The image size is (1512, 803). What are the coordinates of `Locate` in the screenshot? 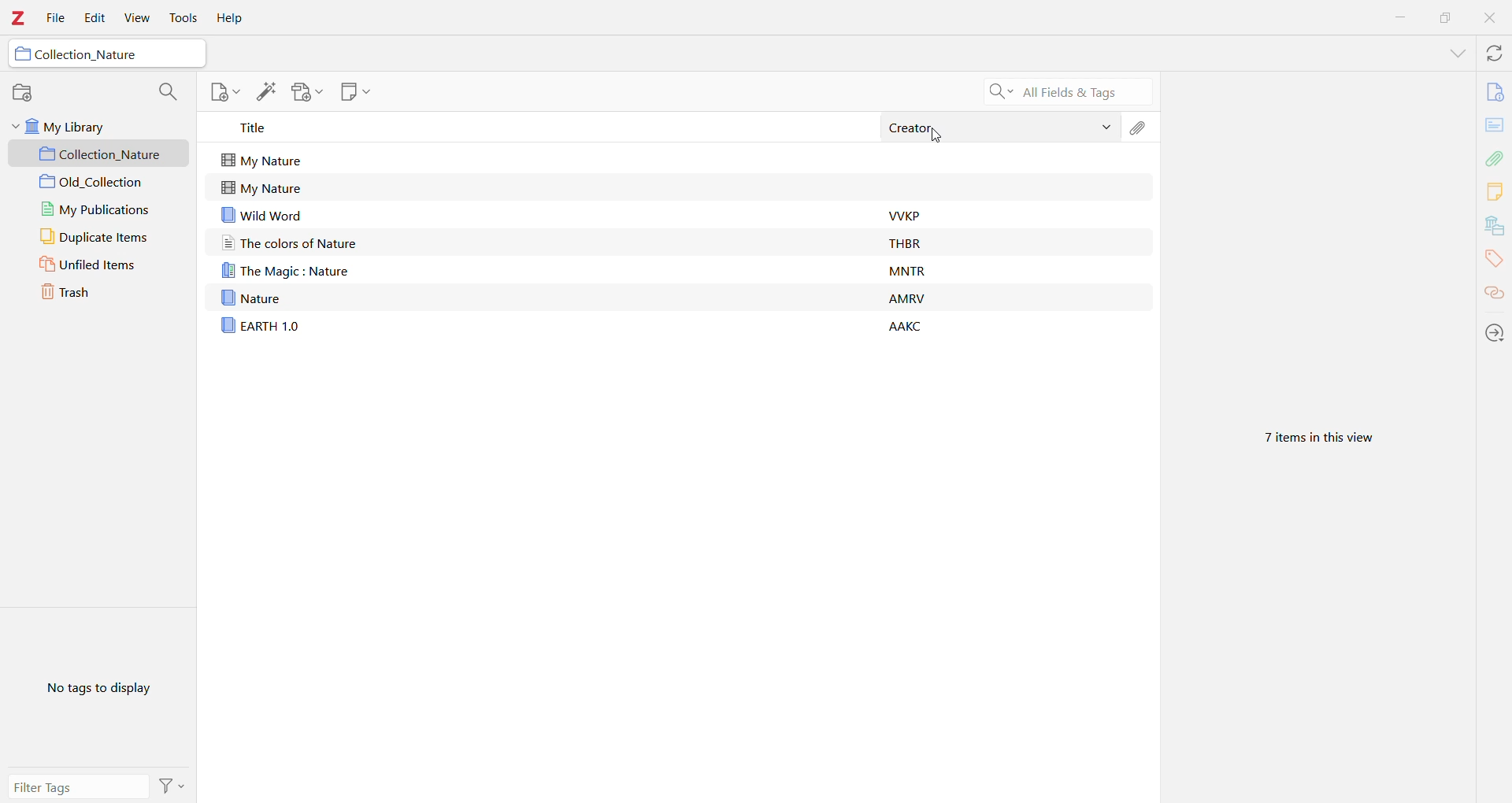 It's located at (1494, 334).